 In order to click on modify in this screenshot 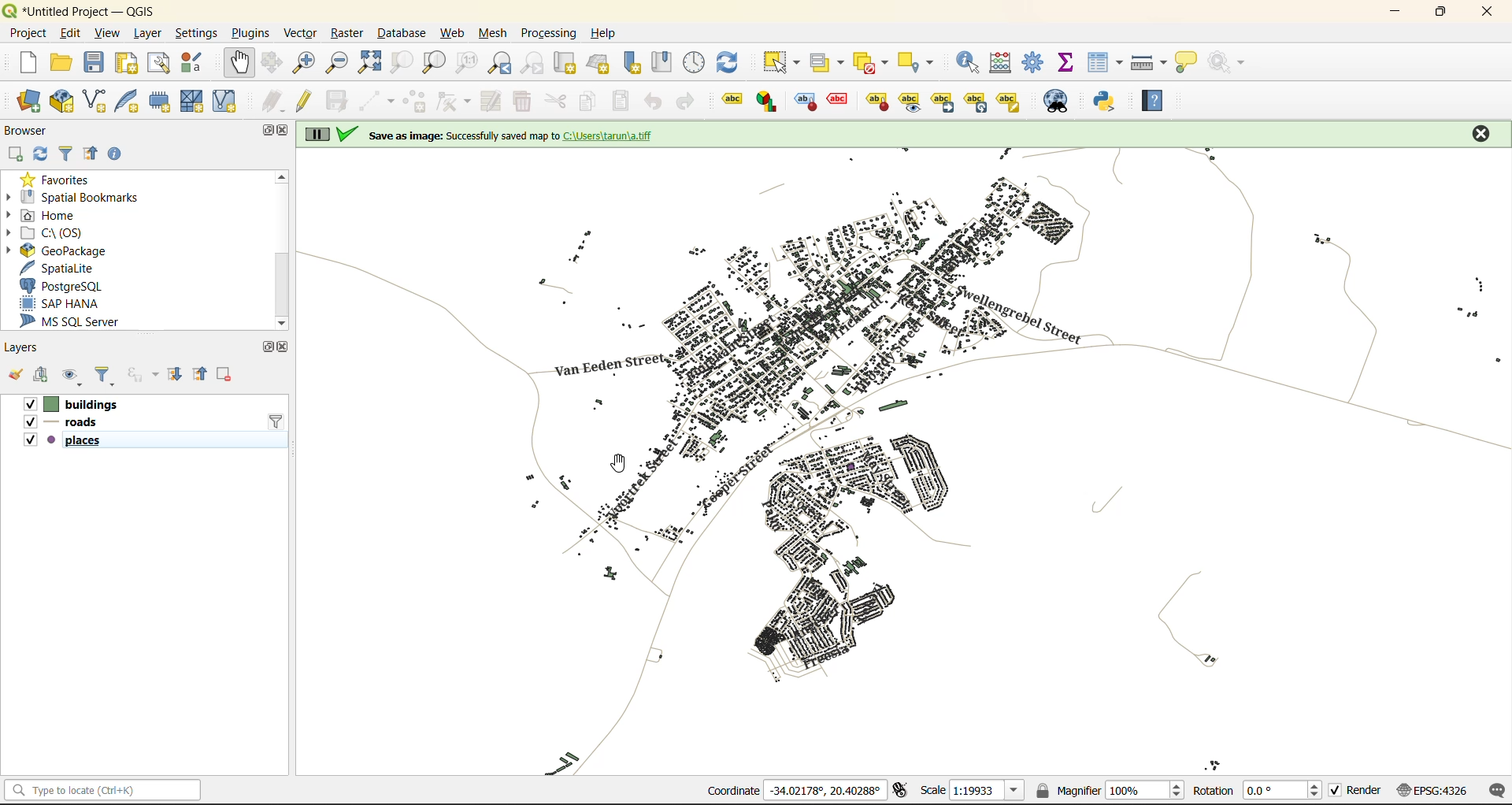, I will do `click(487, 101)`.